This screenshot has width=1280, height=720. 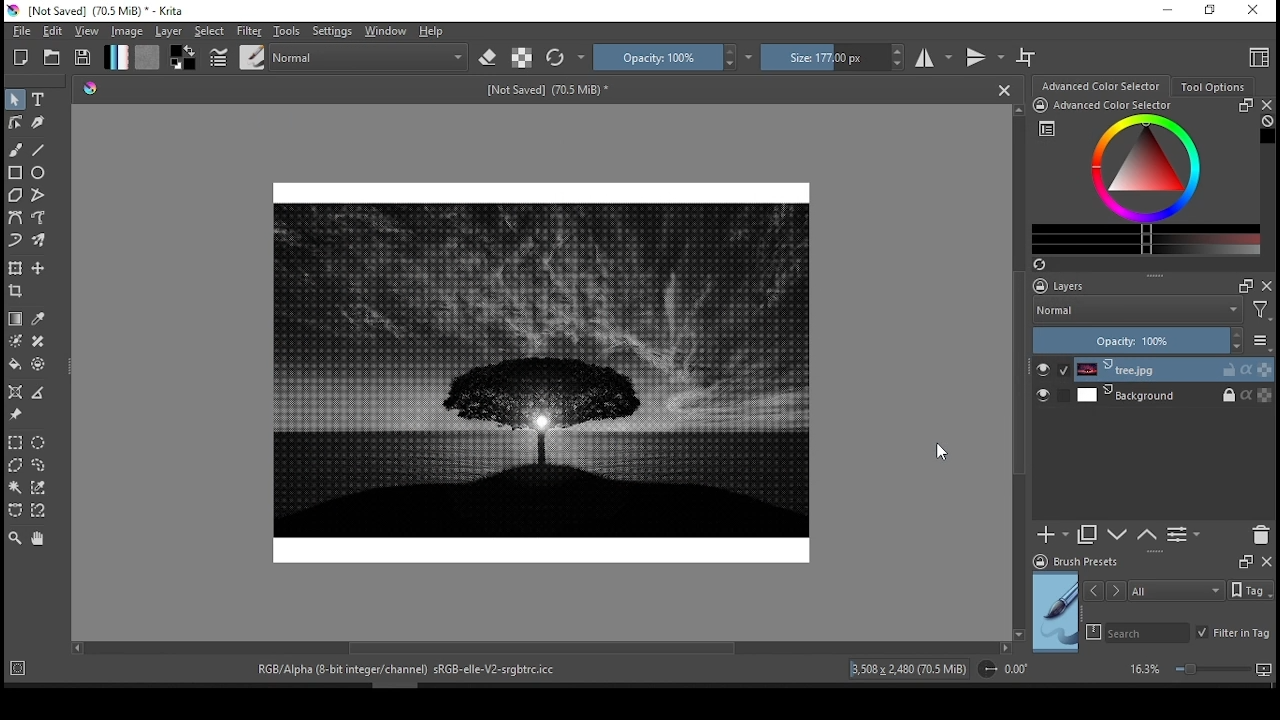 I want to click on zoom, so click(x=1200, y=671).